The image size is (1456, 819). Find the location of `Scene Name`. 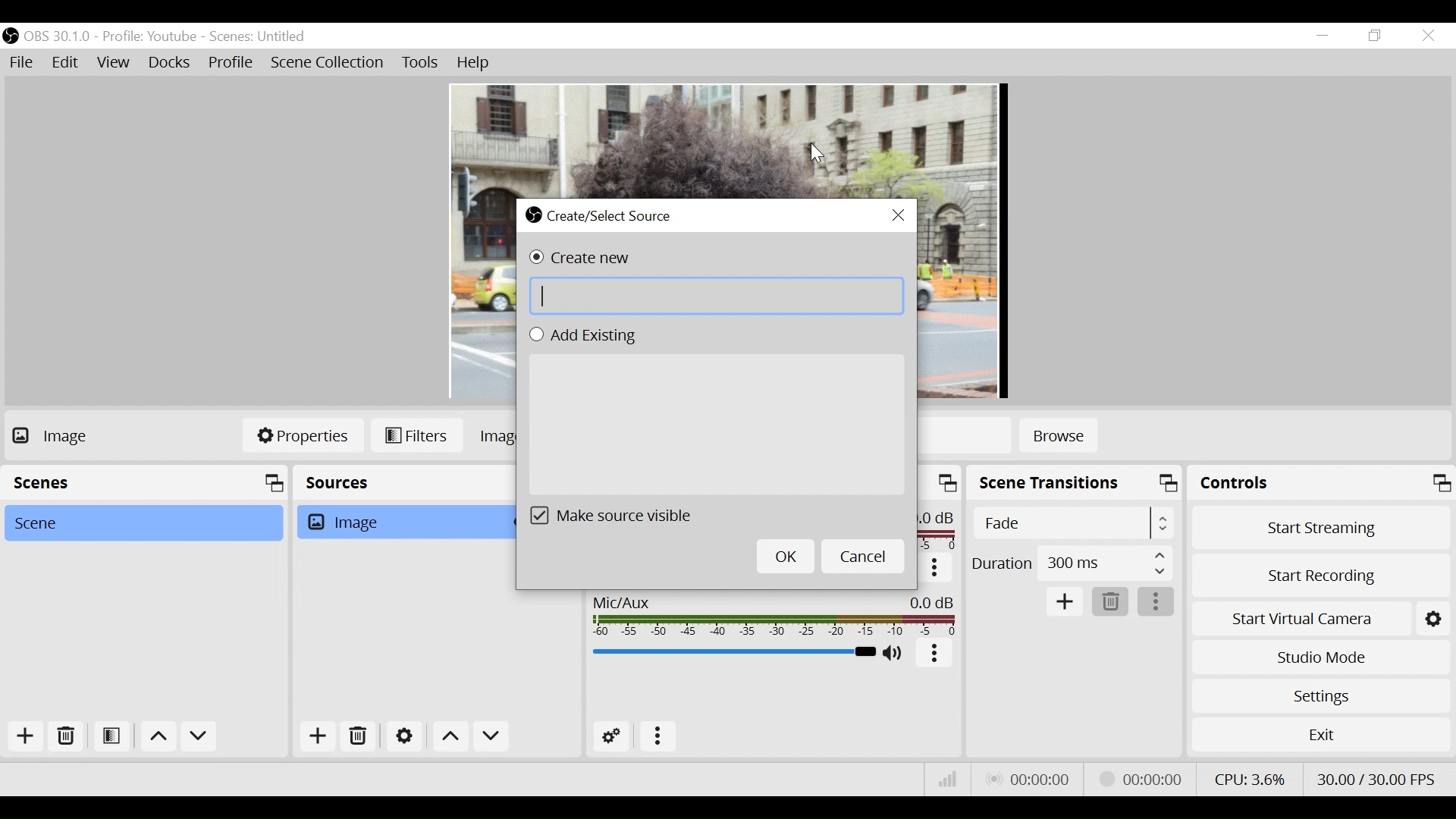

Scene Name is located at coordinates (261, 37).